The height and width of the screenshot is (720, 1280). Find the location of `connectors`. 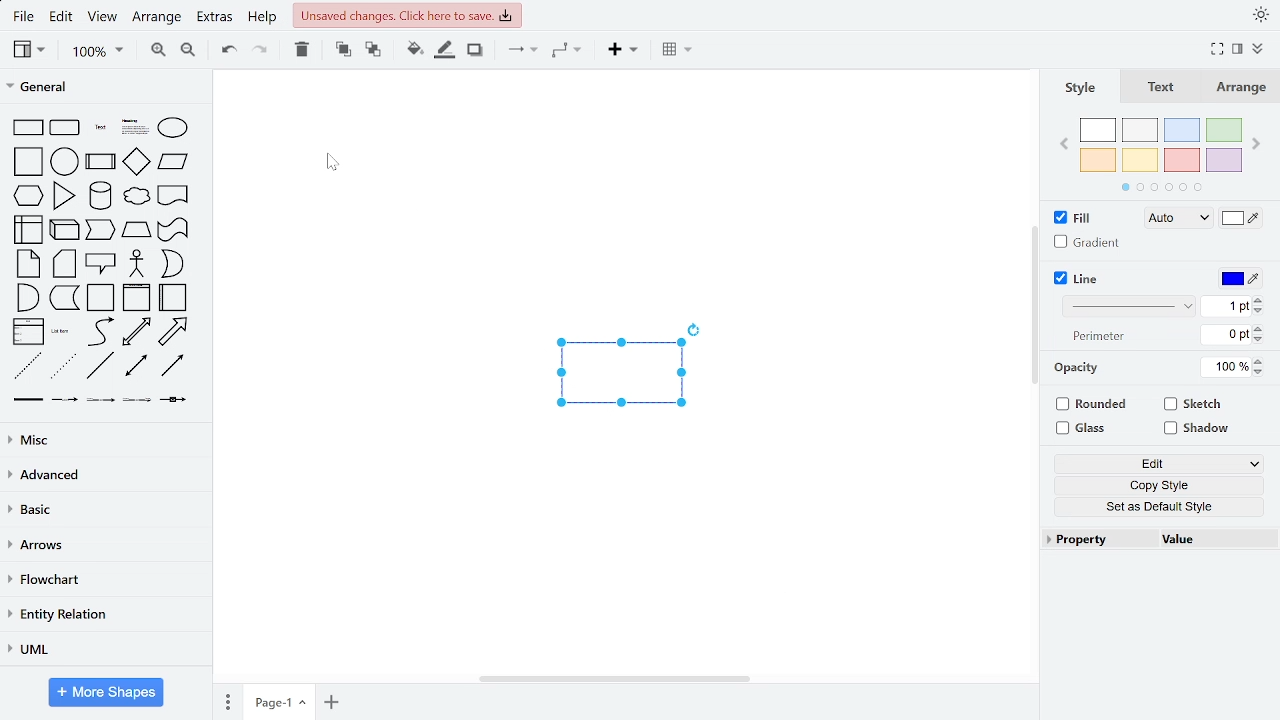

connectors is located at coordinates (518, 51).